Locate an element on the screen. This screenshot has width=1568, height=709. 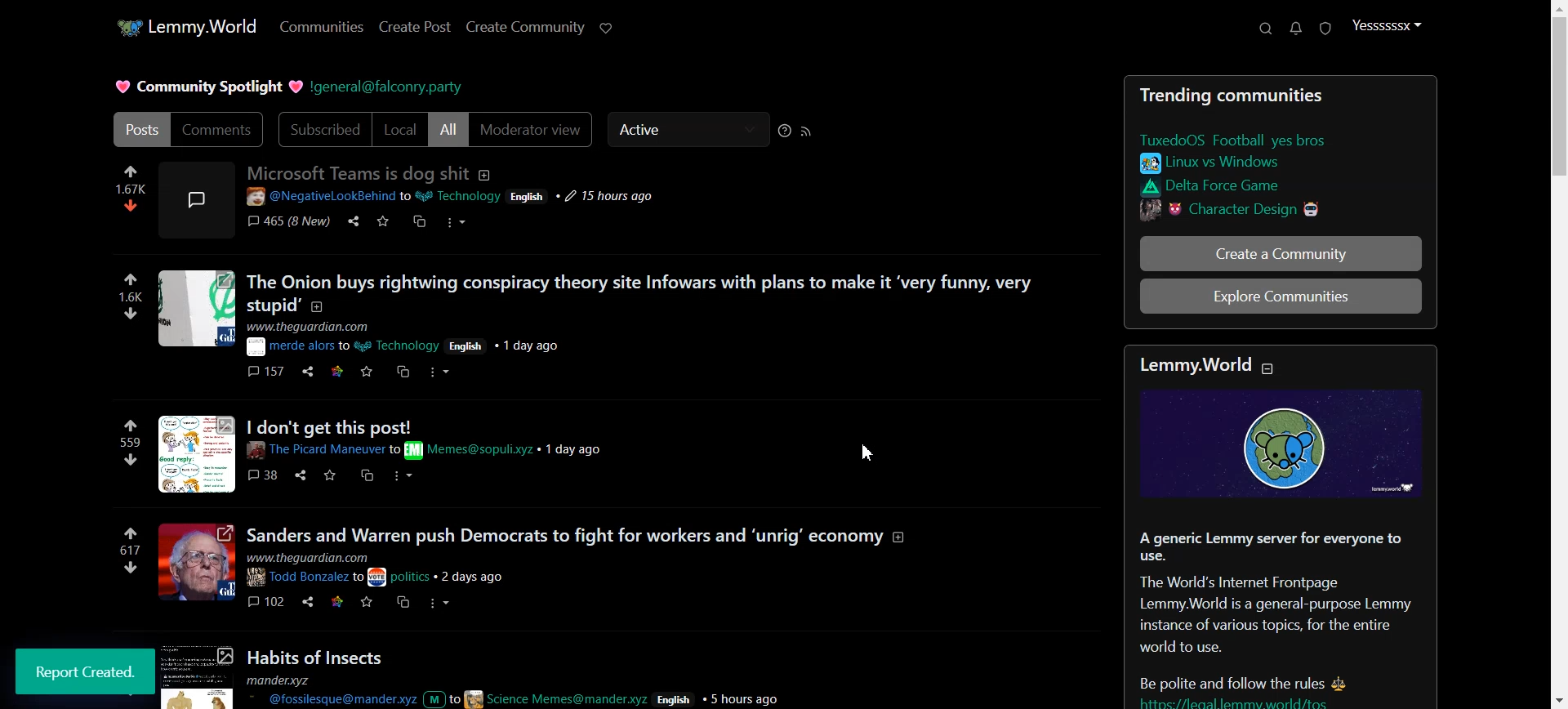
All is located at coordinates (449, 129).